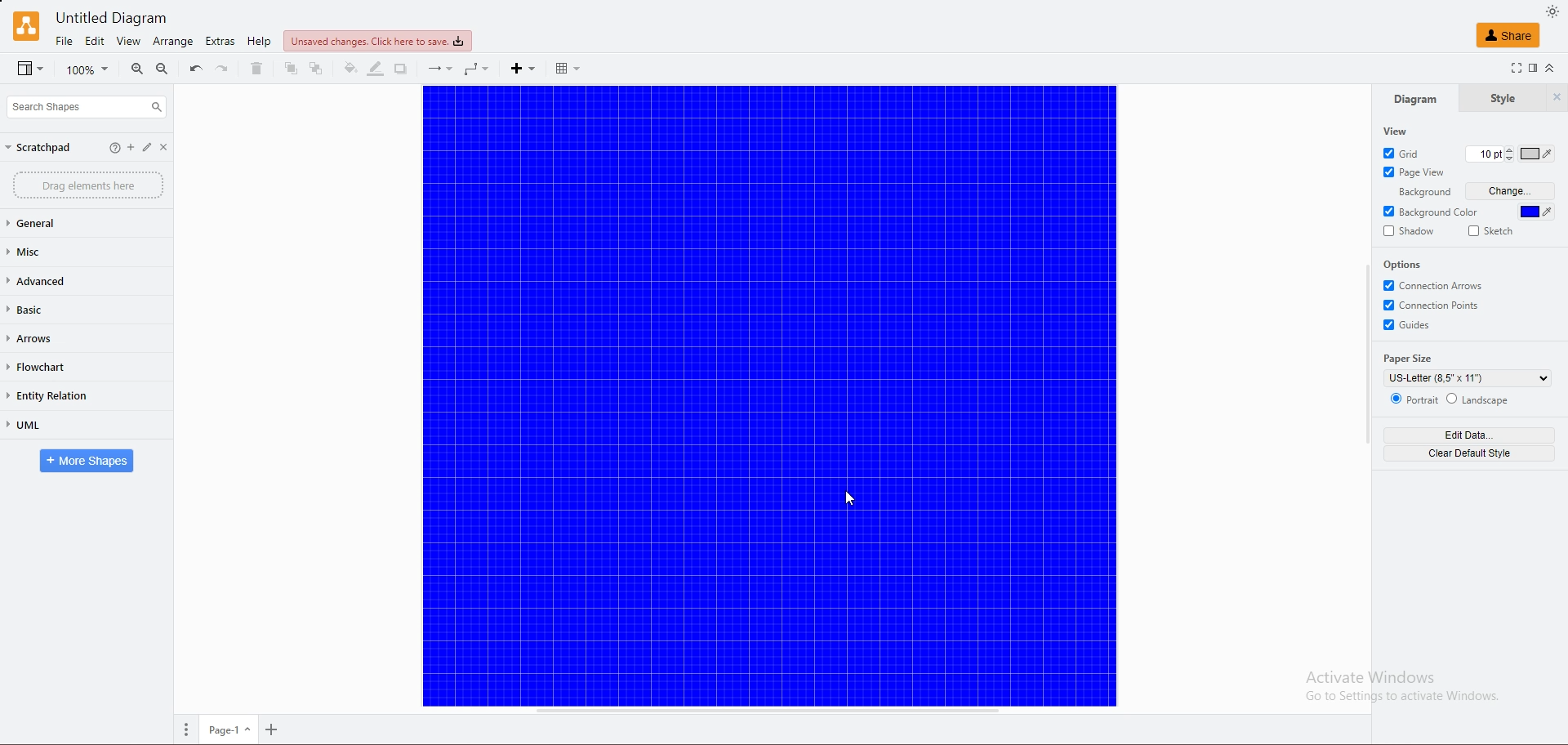 The height and width of the screenshot is (745, 1568). I want to click on white color, so click(1530, 212).